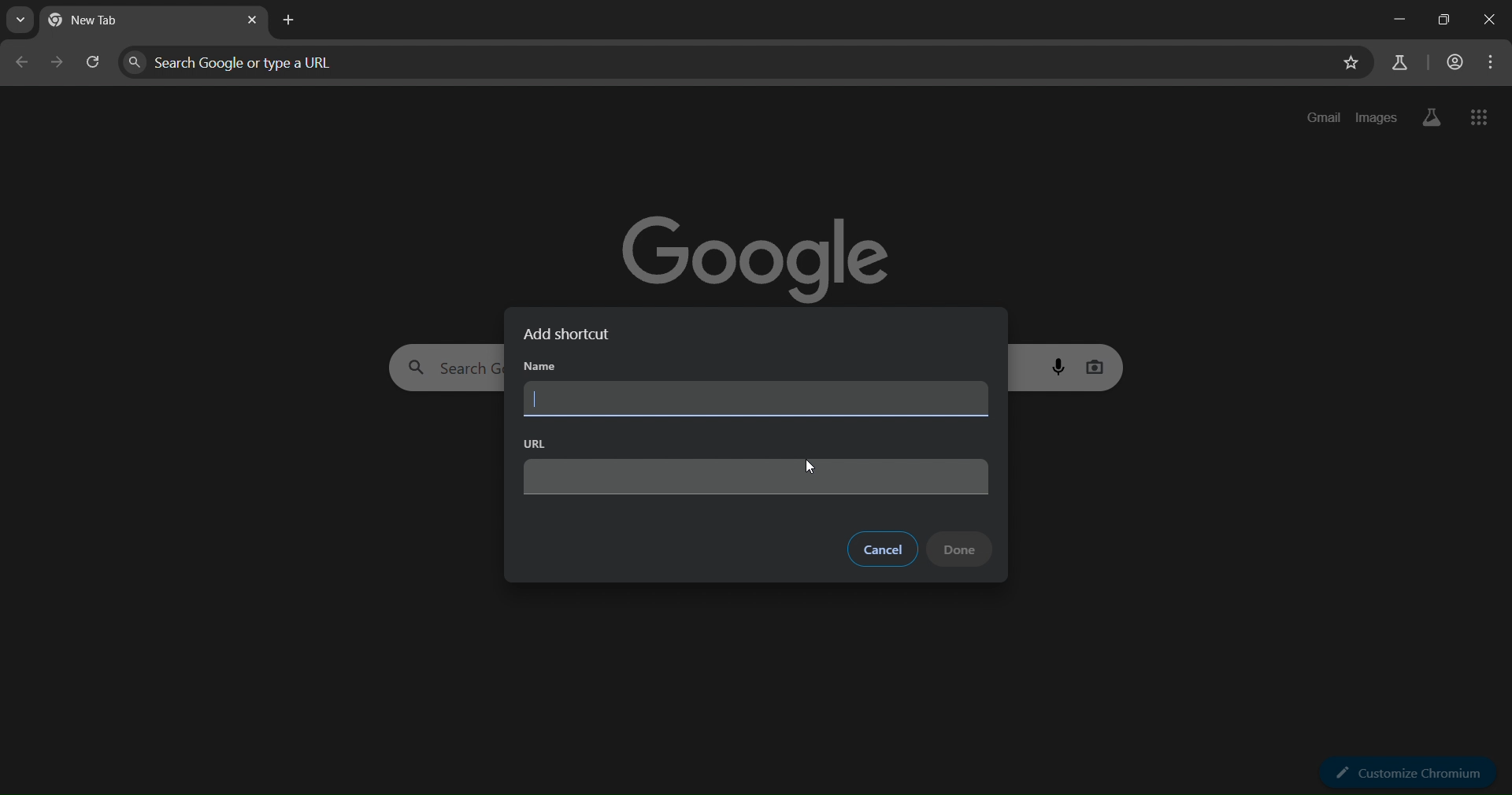 The height and width of the screenshot is (795, 1512). I want to click on go forward one page, so click(58, 65).